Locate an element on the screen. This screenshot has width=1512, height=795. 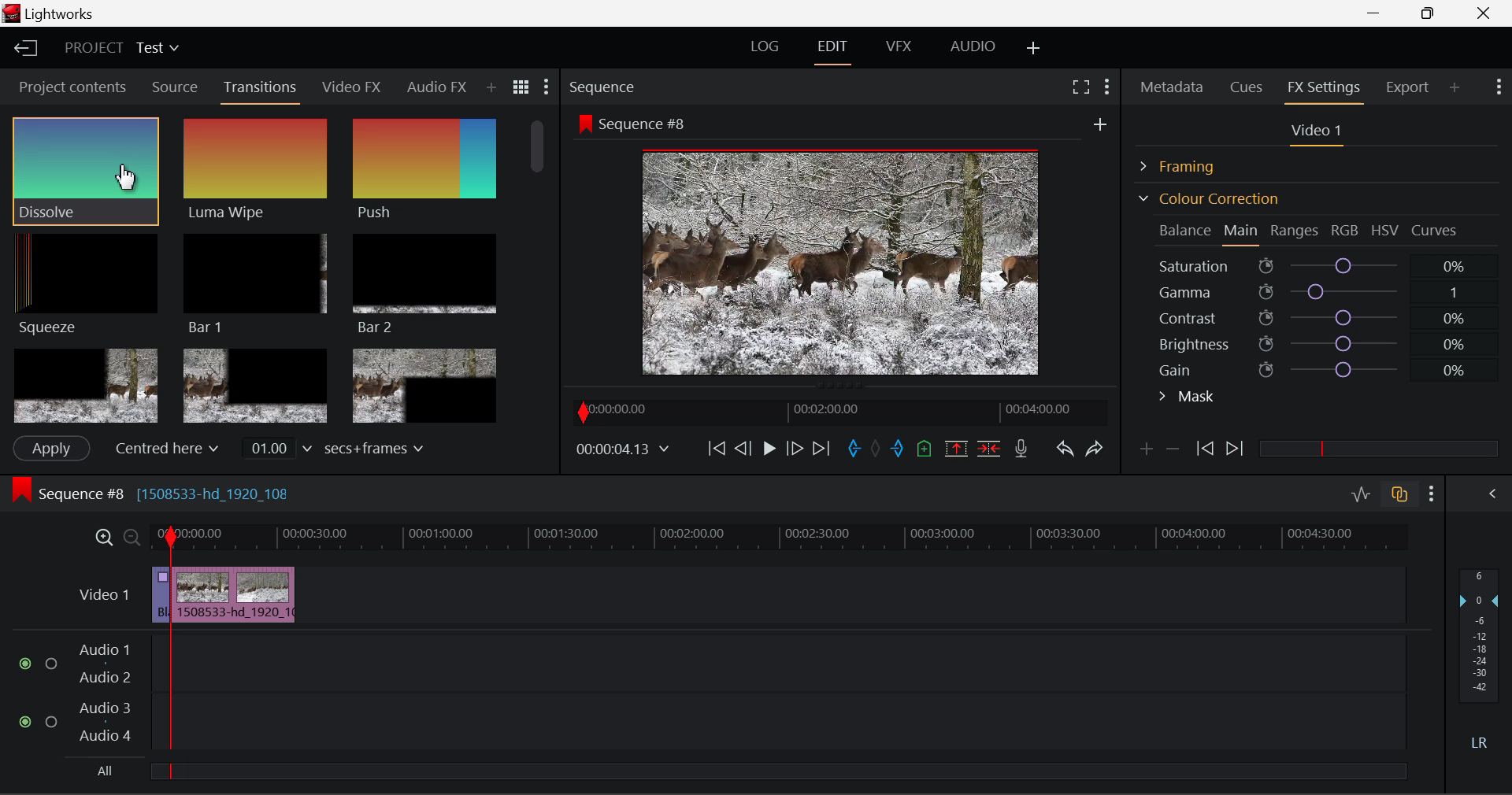
Redo is located at coordinates (1095, 448).